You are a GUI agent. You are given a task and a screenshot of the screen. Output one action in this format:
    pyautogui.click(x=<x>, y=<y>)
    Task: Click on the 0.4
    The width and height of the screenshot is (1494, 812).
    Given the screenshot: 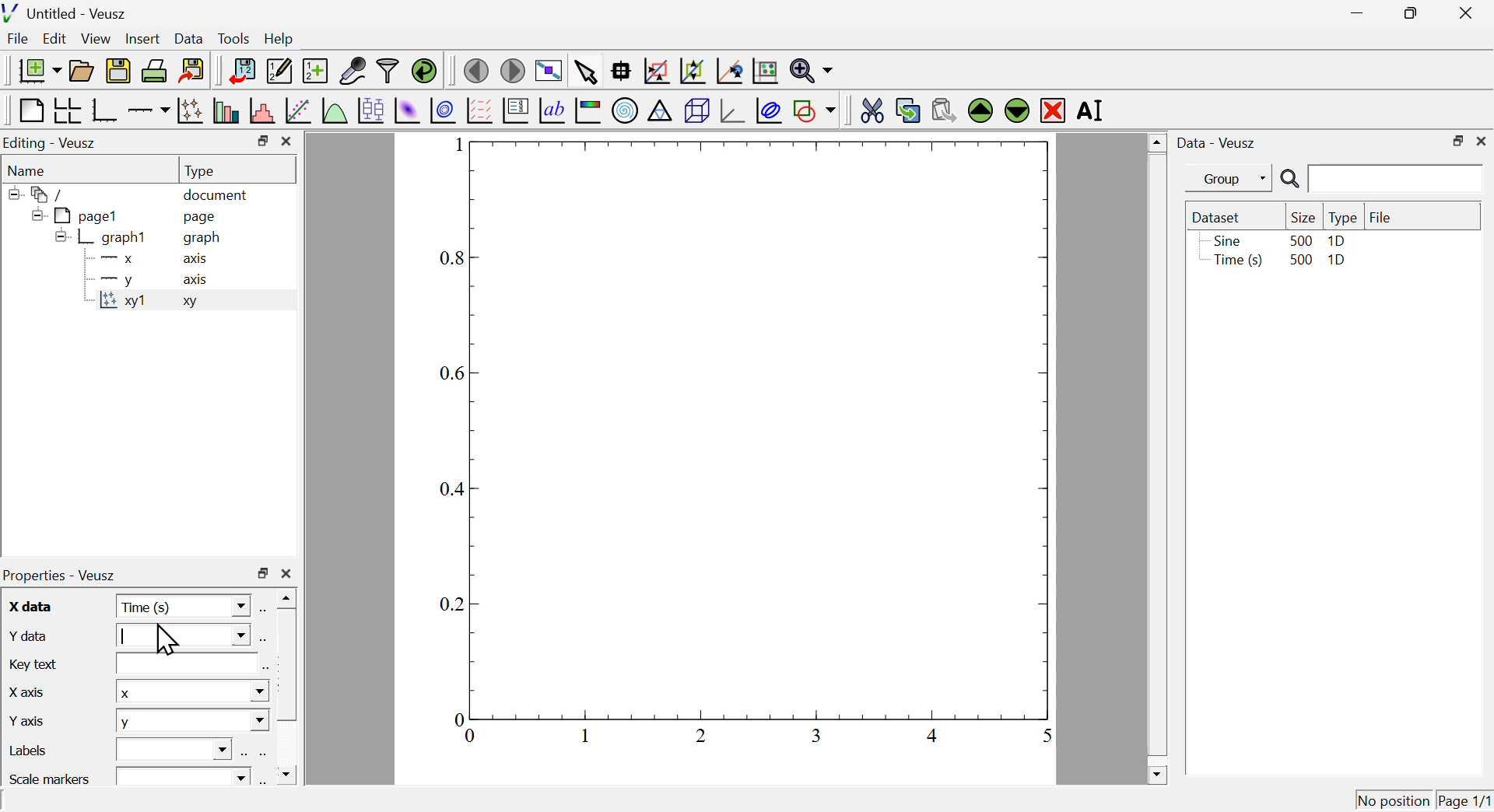 What is the action you would take?
    pyautogui.click(x=701, y=735)
    